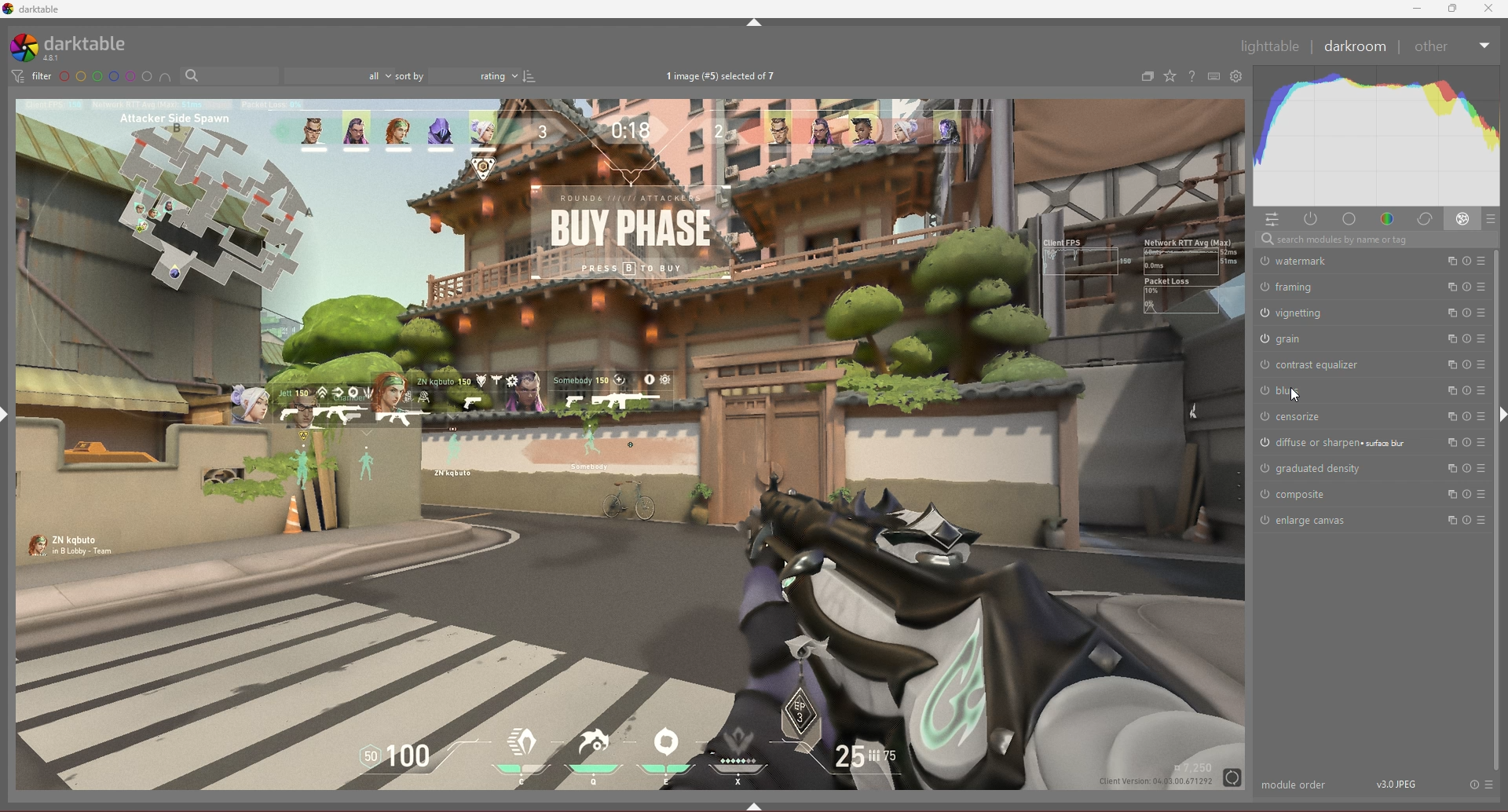 This screenshot has height=812, width=1508. What do you see at coordinates (1466, 365) in the screenshot?
I see `reset` at bounding box center [1466, 365].